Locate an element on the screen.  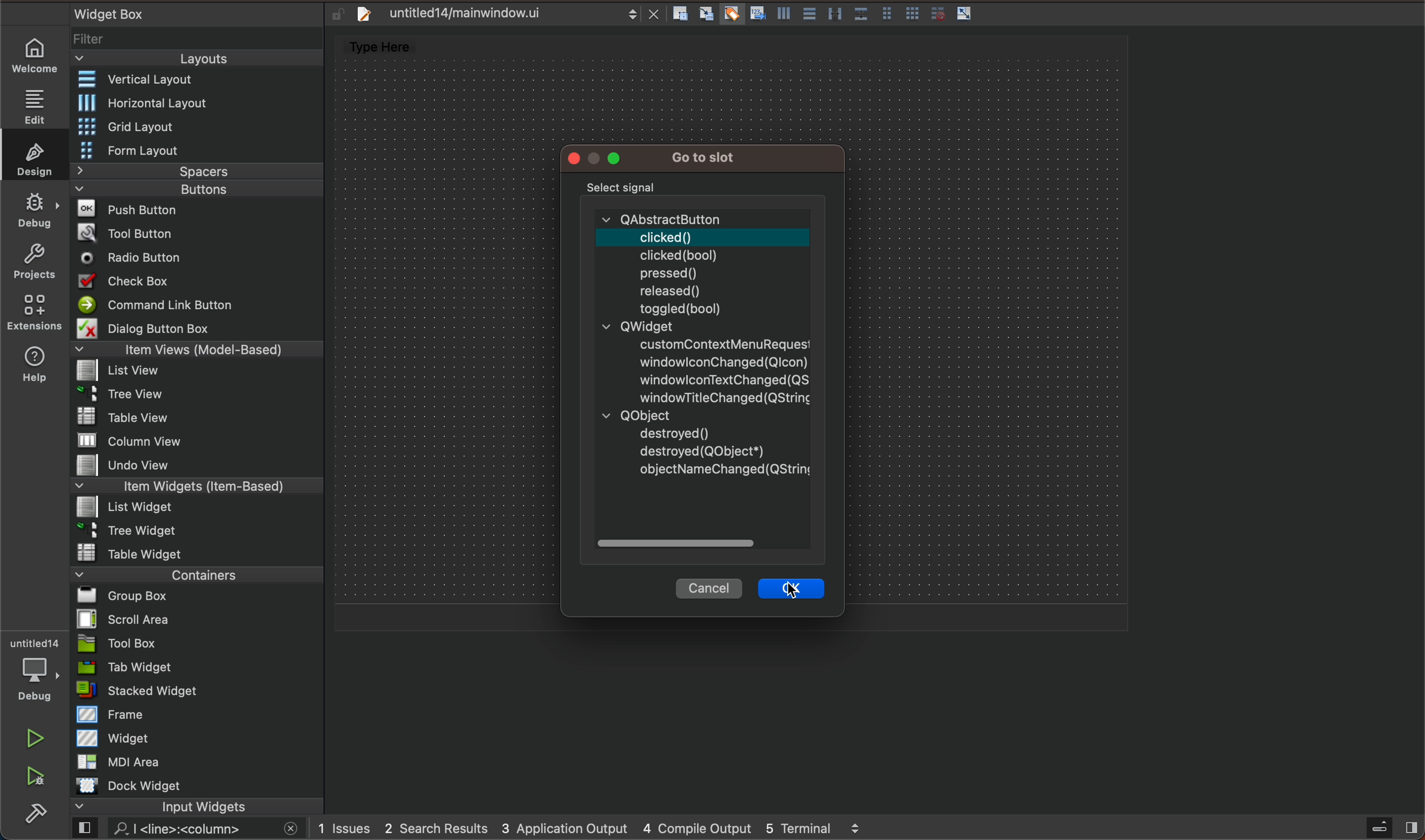
 is located at coordinates (786, 13).